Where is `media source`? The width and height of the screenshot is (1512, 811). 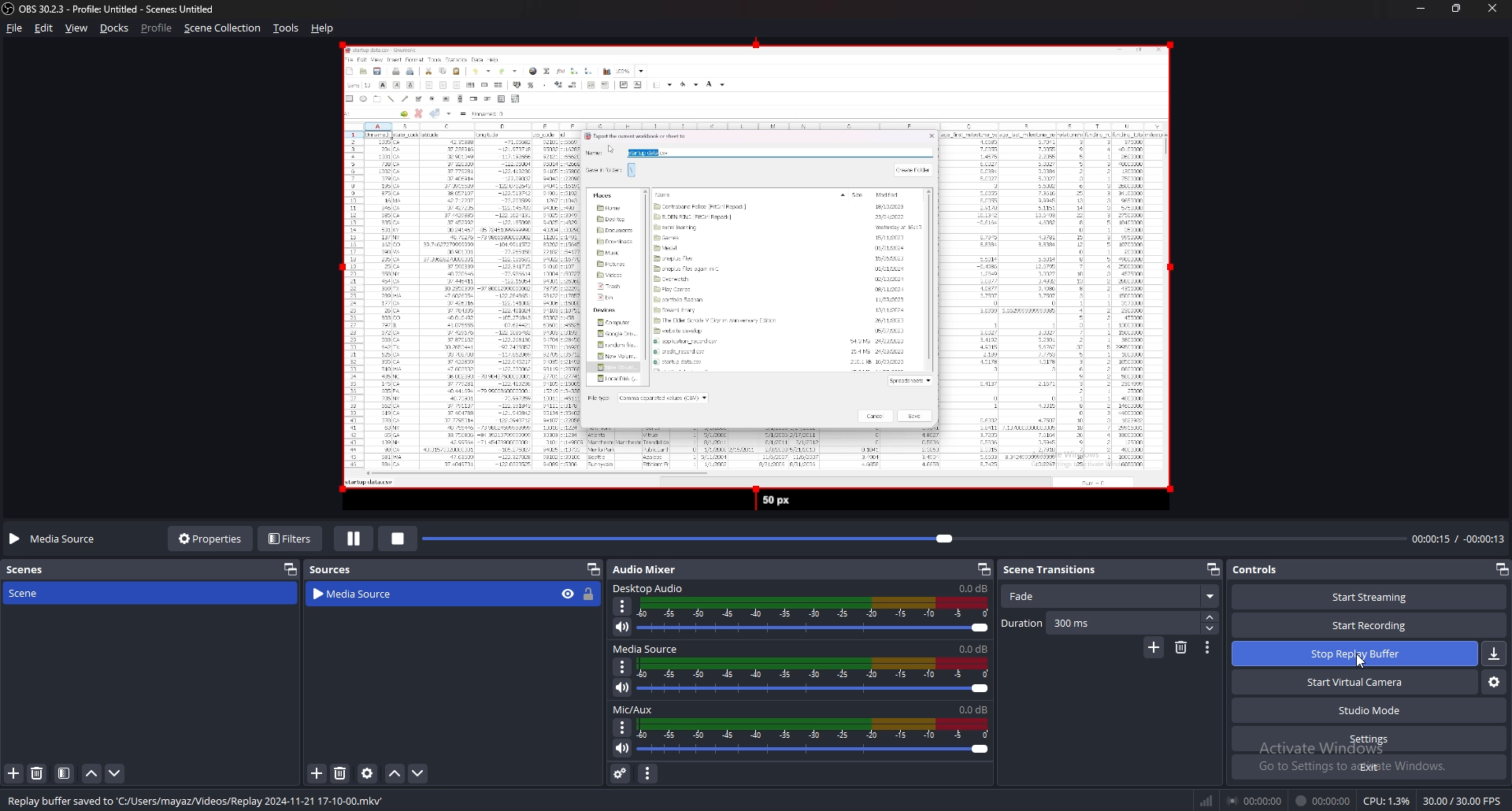
media source is located at coordinates (413, 594).